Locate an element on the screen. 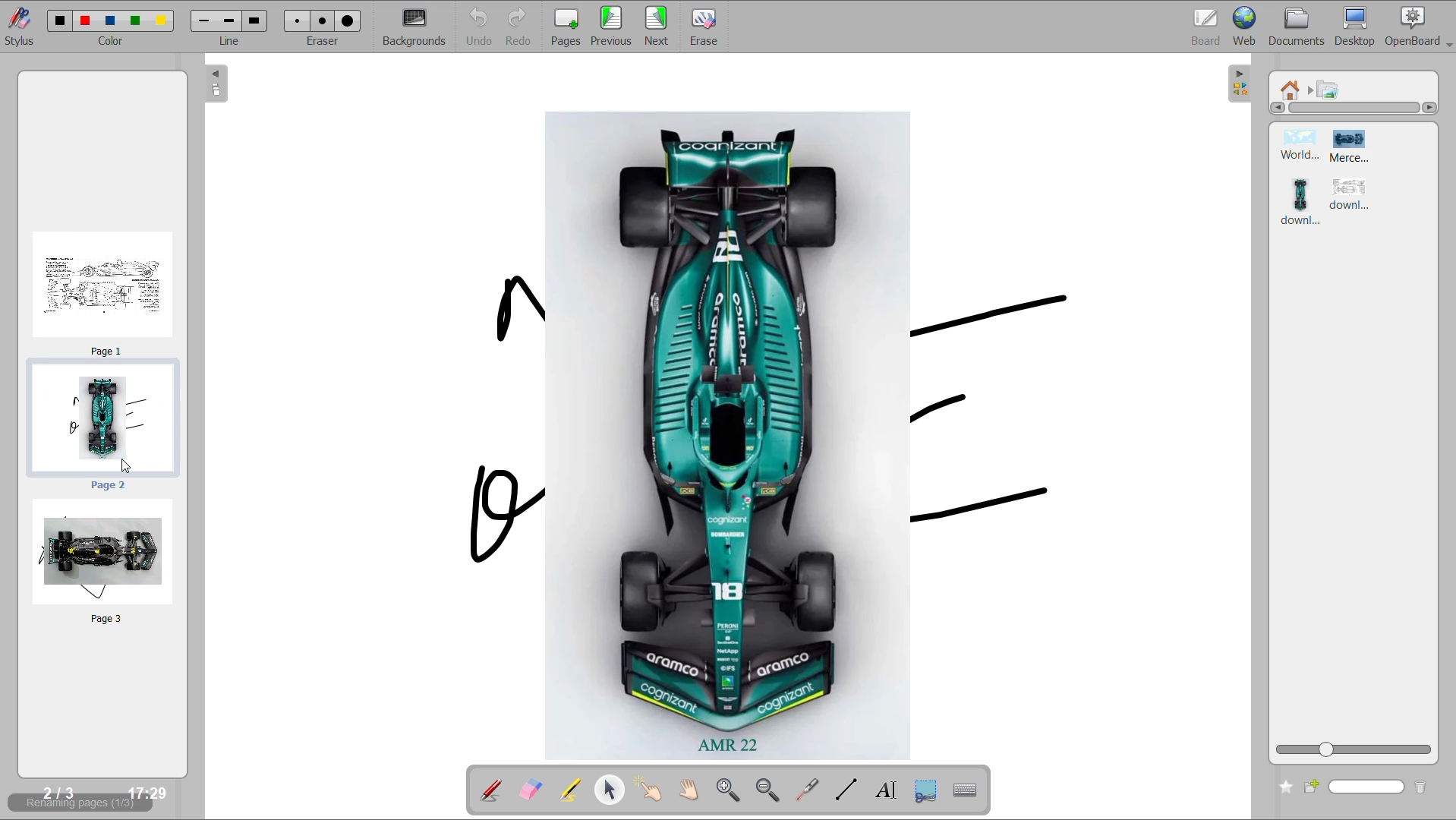  Cursor is located at coordinates (130, 466).